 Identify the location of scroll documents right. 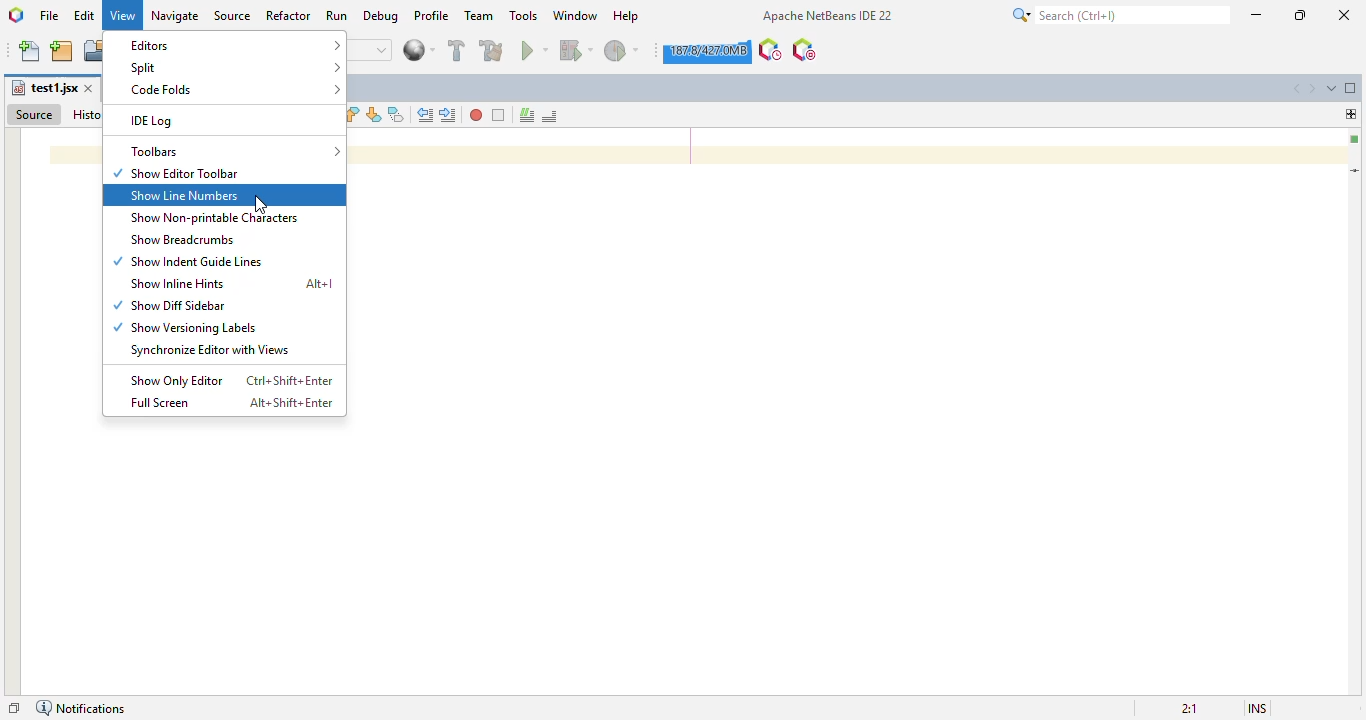
(1311, 89).